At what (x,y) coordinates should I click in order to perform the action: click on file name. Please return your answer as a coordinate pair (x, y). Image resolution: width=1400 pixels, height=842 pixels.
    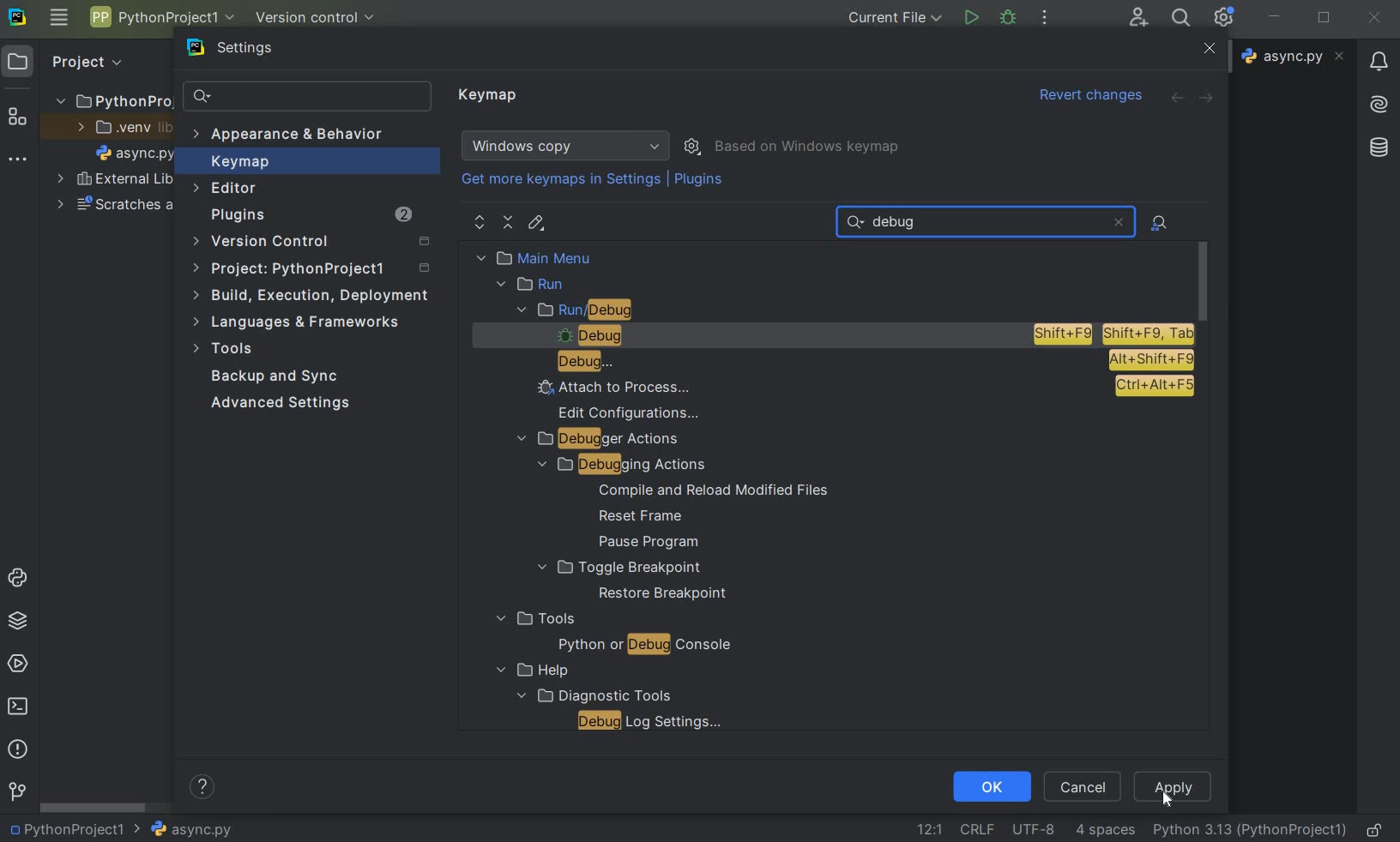
    Looking at the image, I should click on (183, 829).